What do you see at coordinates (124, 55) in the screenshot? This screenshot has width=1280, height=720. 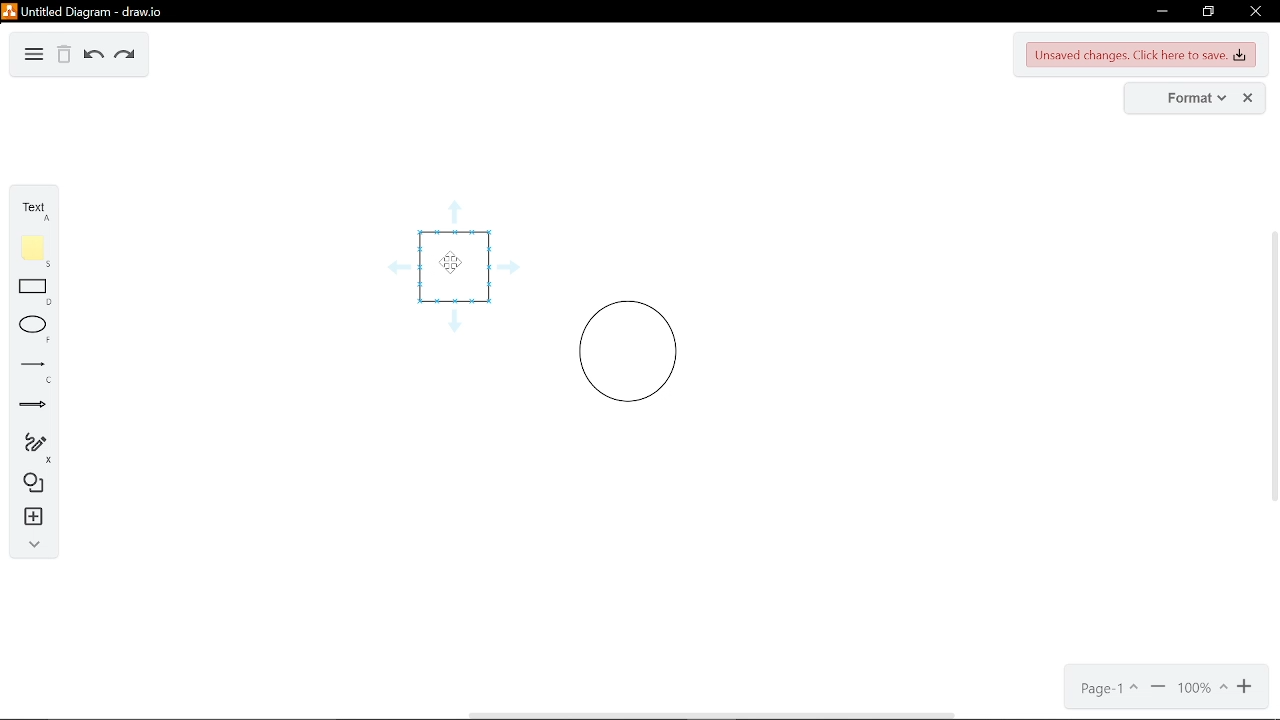 I see `redo` at bounding box center [124, 55].